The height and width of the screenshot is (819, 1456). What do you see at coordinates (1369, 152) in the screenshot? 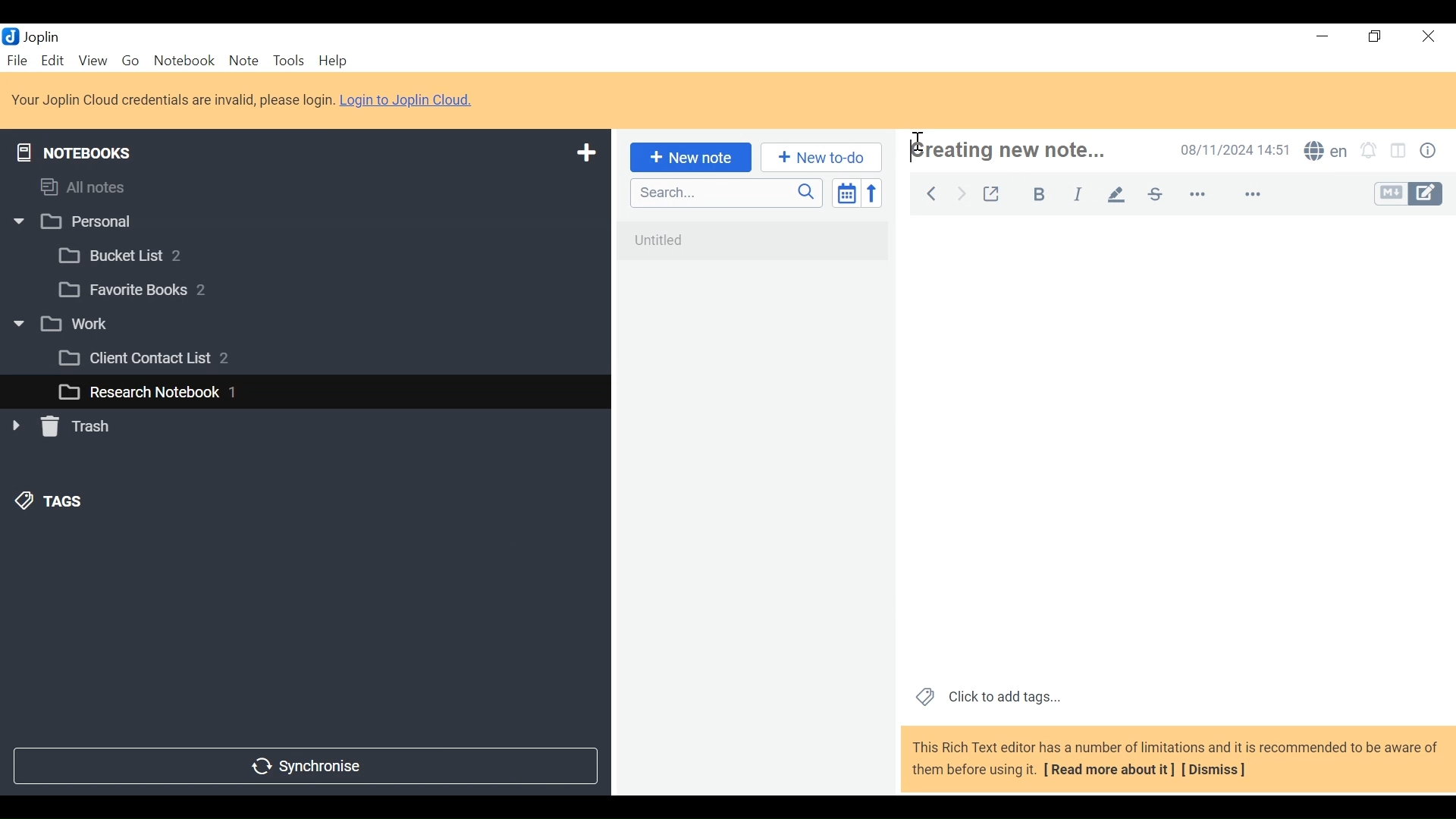
I see `Set alarm` at bounding box center [1369, 152].